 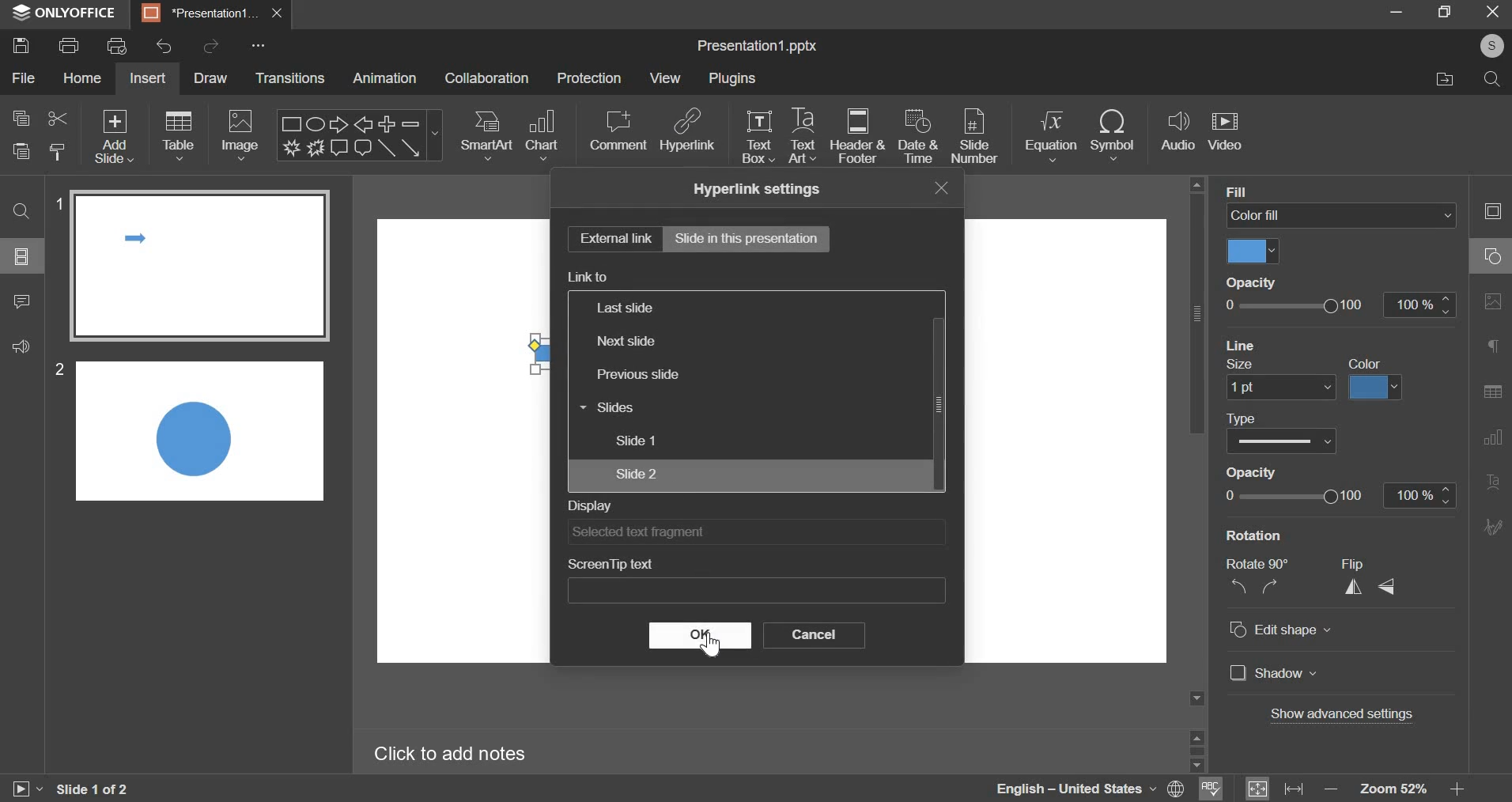 What do you see at coordinates (202, 267) in the screenshot?
I see `slide 1 preview` at bounding box center [202, 267].